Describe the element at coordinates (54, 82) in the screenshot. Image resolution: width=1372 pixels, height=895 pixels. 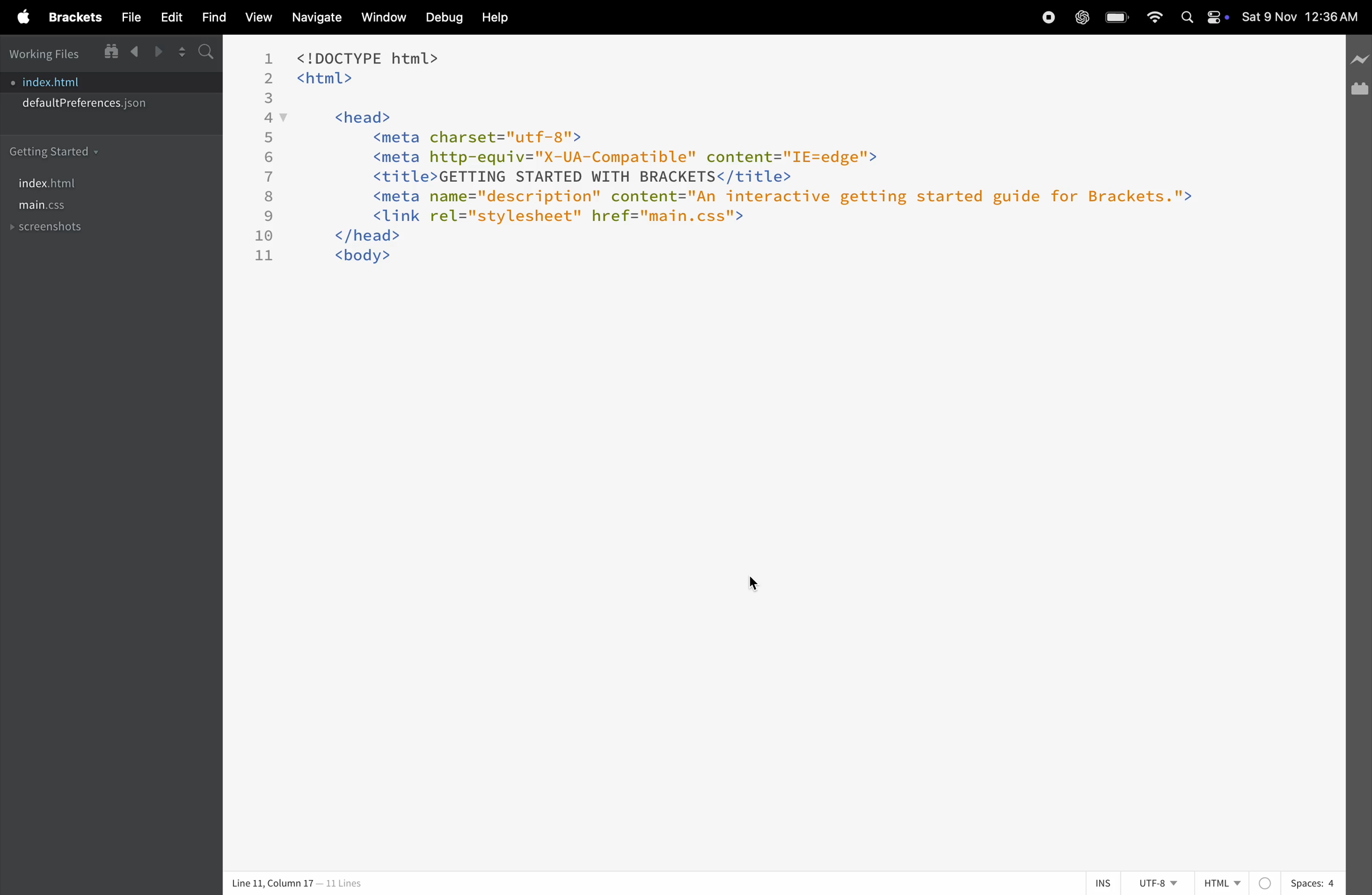
I see `index.html` at that location.